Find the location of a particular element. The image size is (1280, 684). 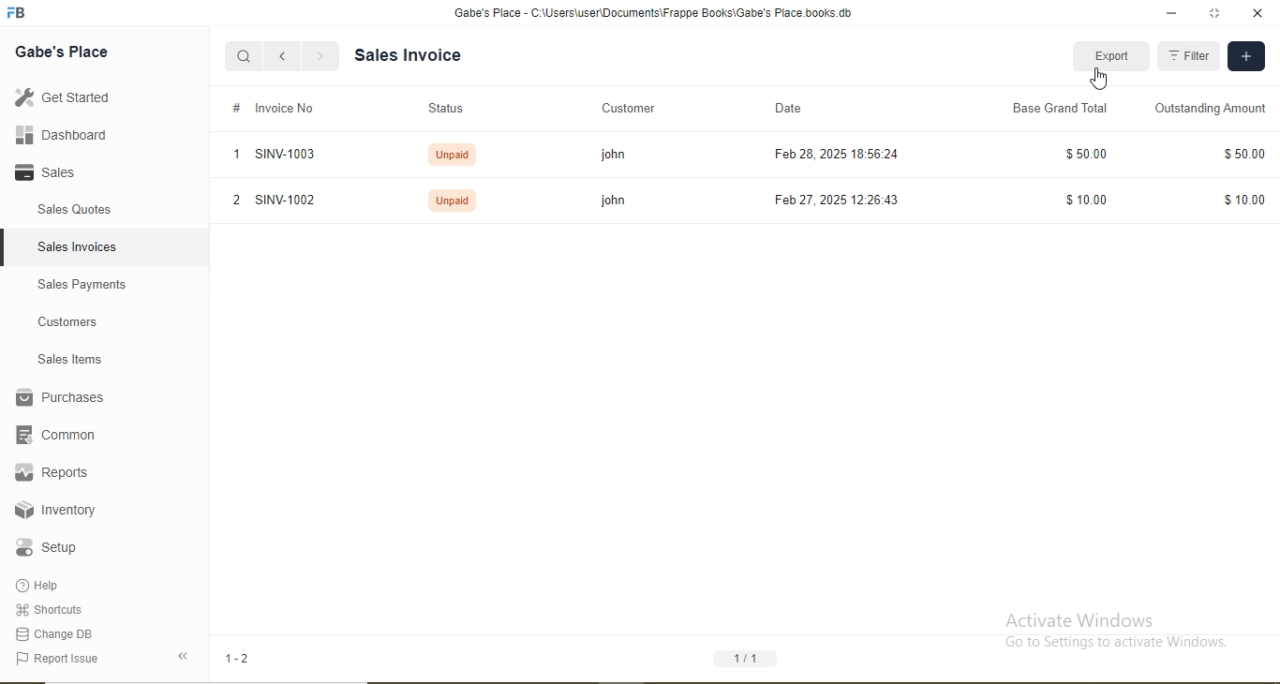

Change DB is located at coordinates (58, 634).